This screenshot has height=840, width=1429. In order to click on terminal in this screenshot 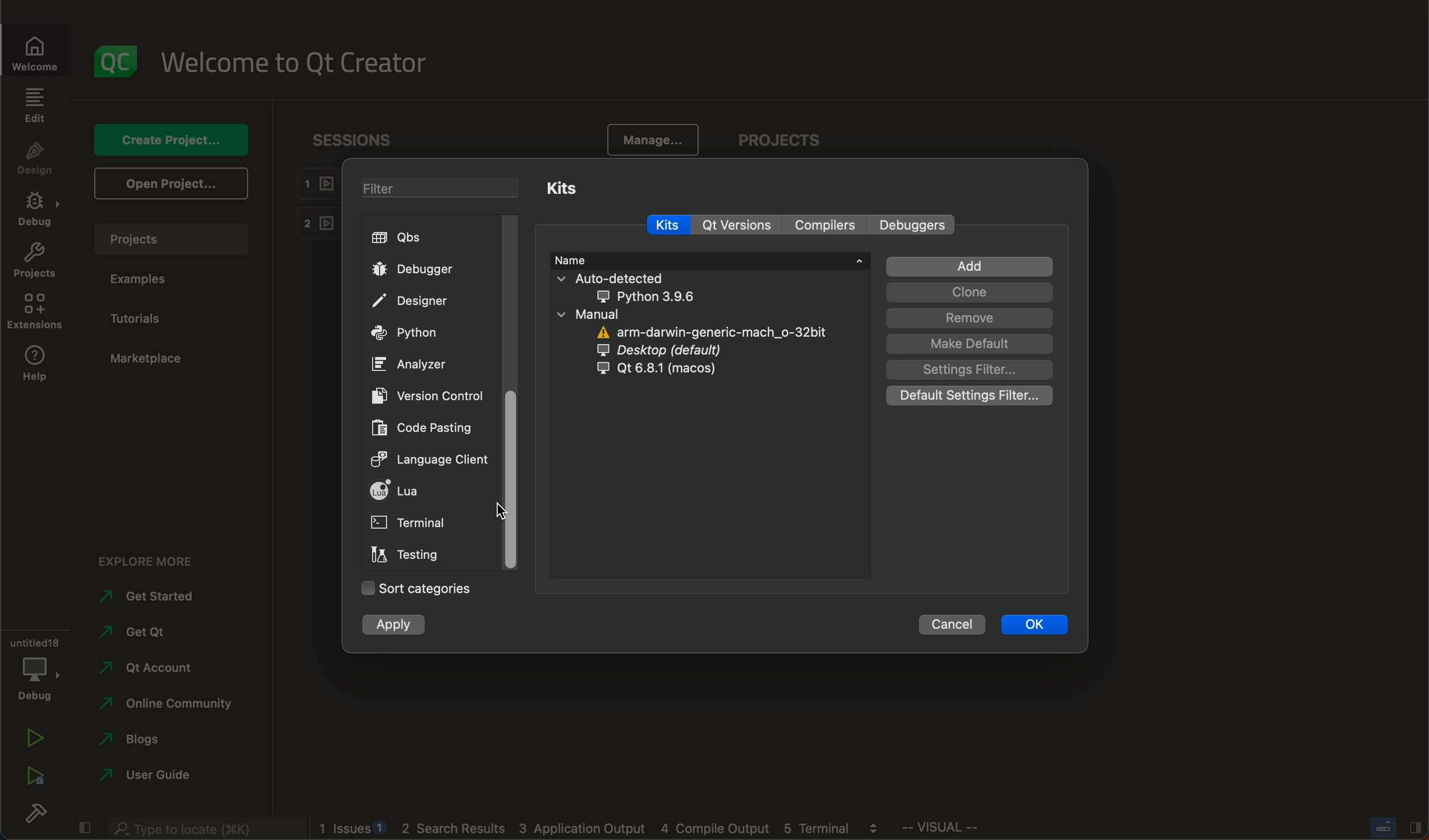, I will do `click(426, 521)`.